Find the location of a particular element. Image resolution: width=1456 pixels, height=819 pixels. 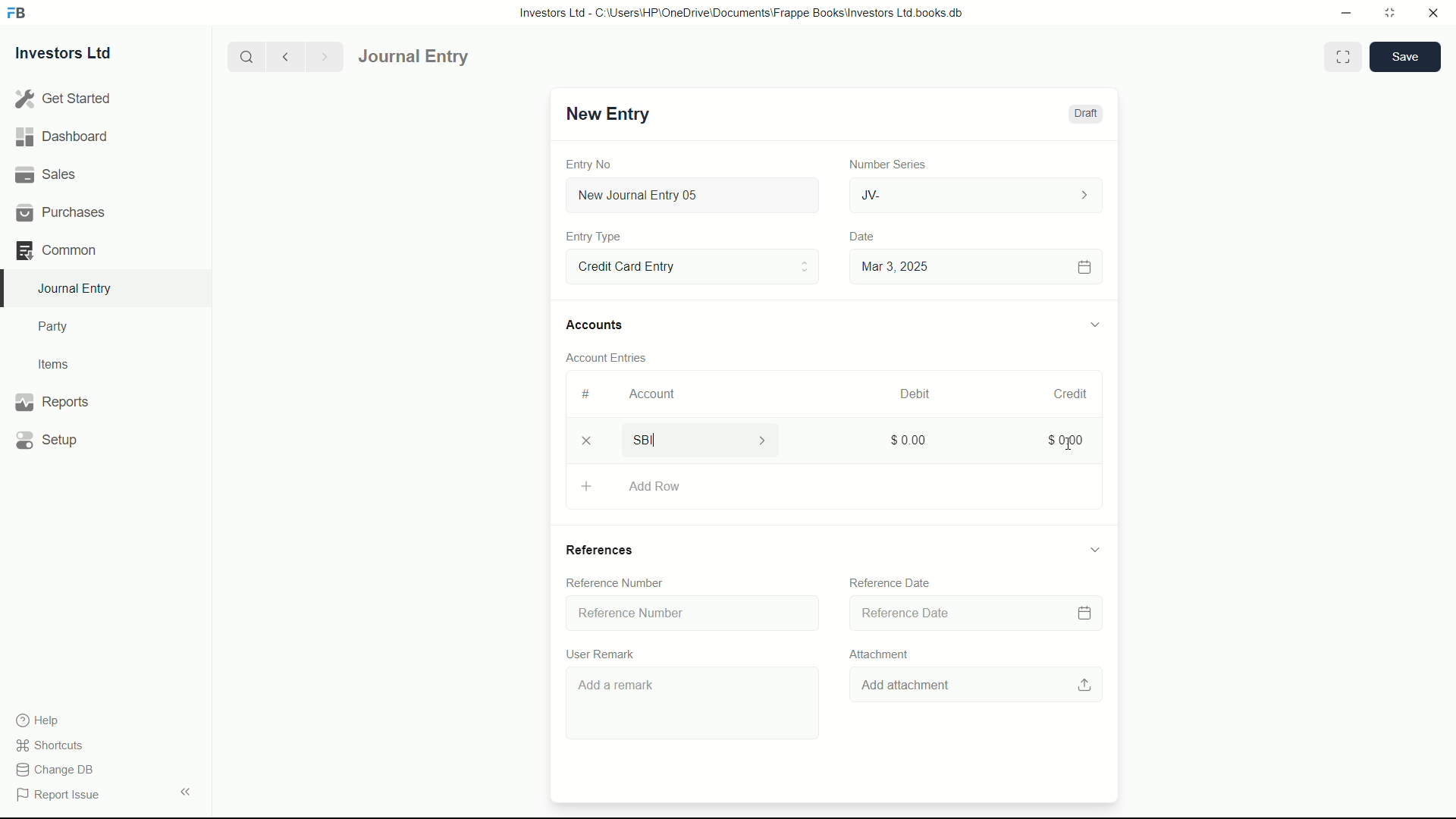

Reference Date is located at coordinates (890, 582).